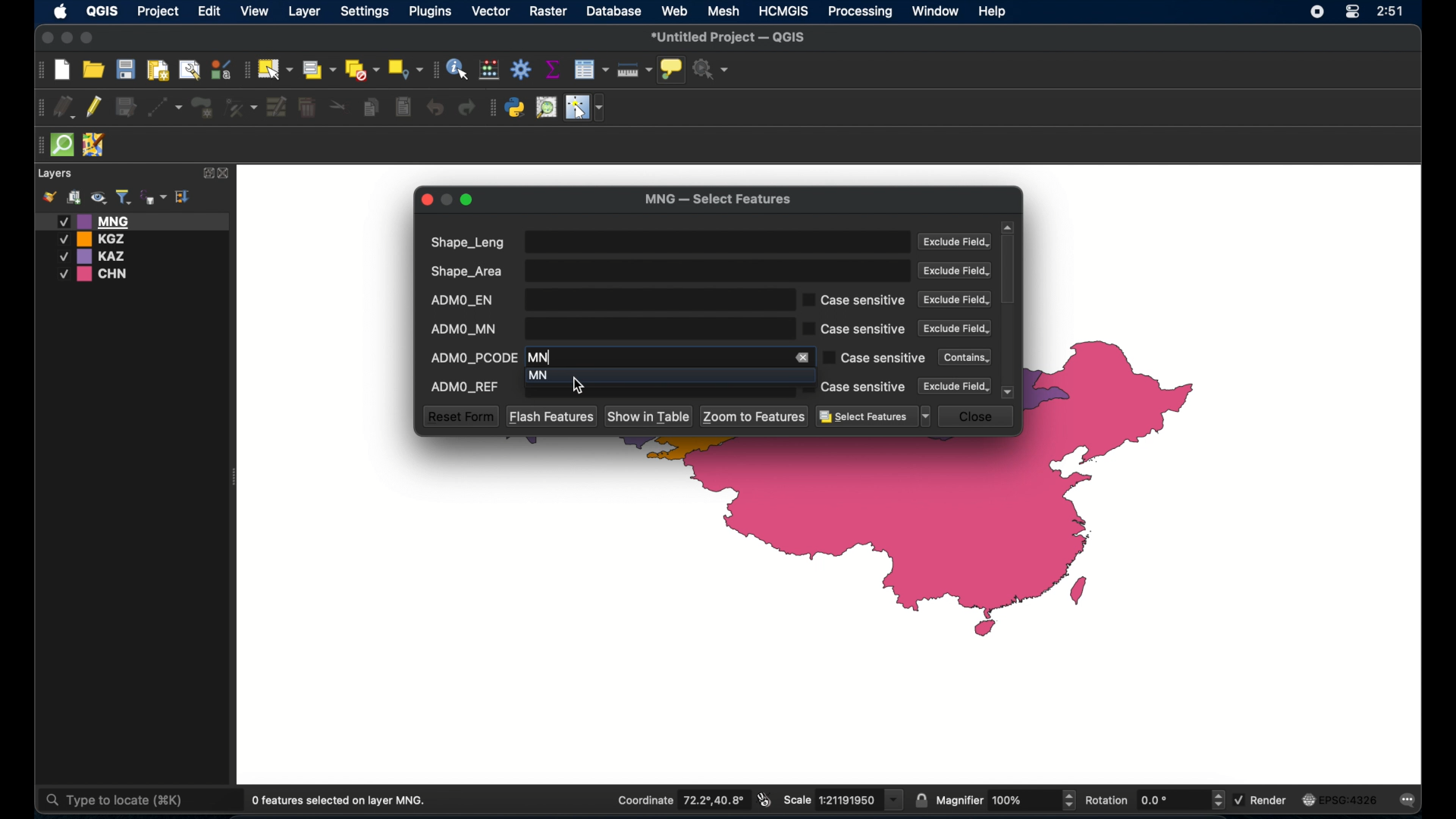  Describe the element at coordinates (38, 145) in the screenshot. I see `drag handle` at that location.